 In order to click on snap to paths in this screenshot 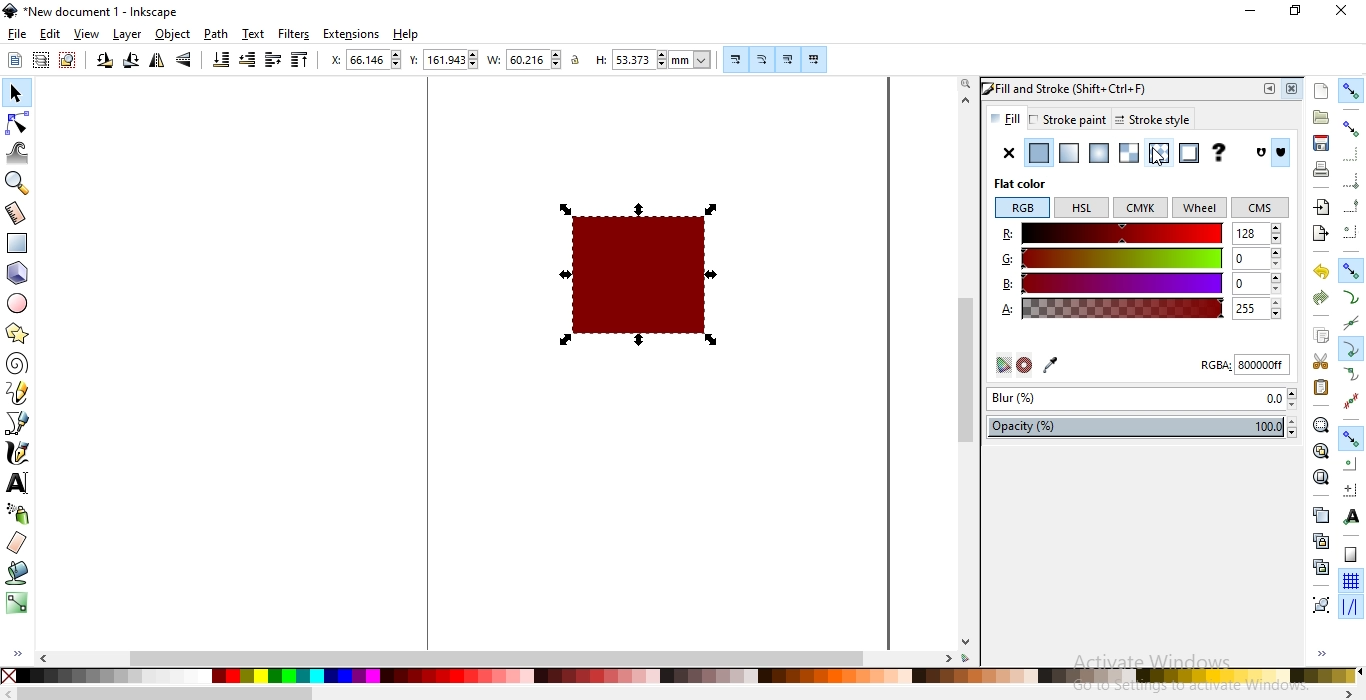, I will do `click(1352, 297)`.